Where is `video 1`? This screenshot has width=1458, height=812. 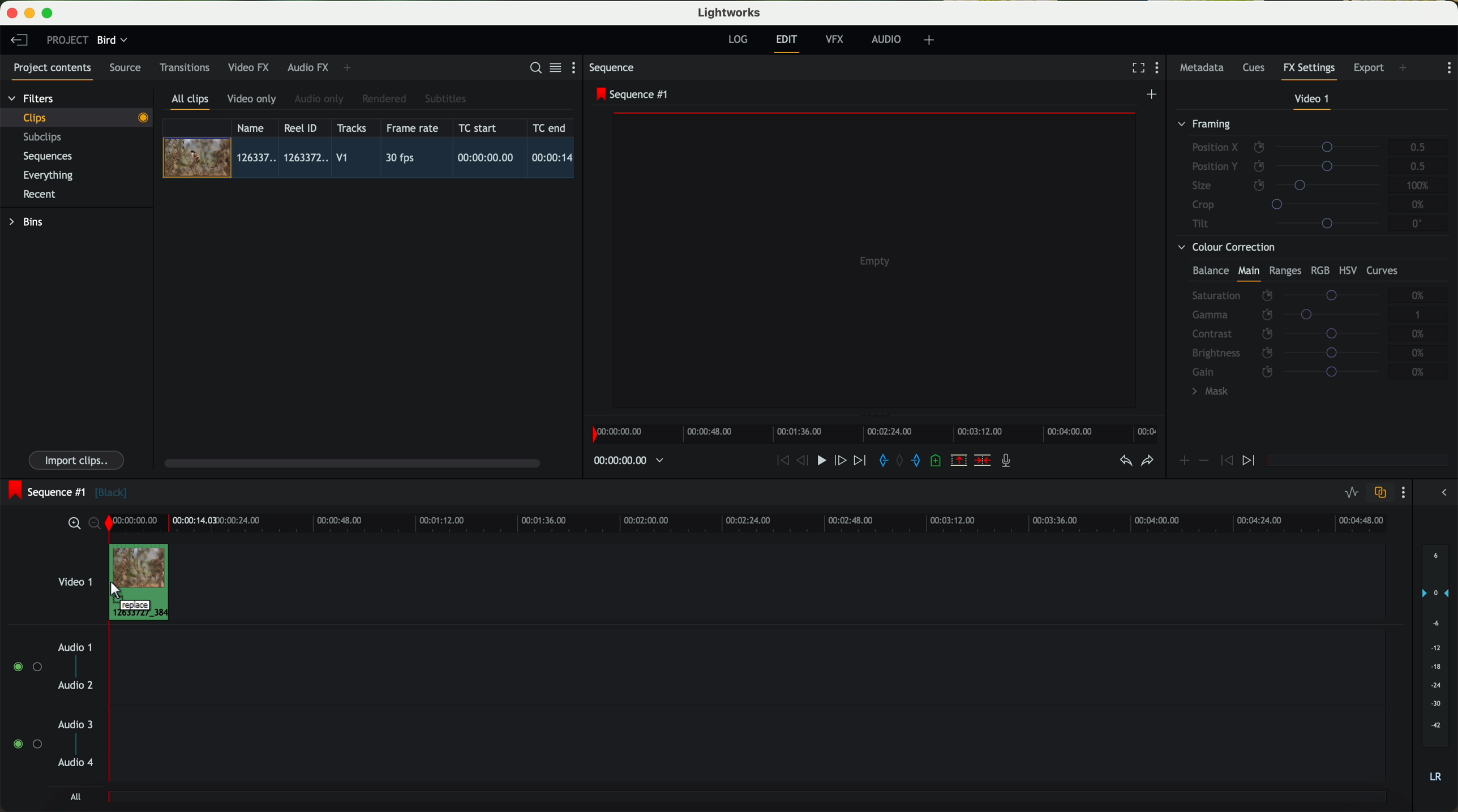
video 1 is located at coordinates (1313, 101).